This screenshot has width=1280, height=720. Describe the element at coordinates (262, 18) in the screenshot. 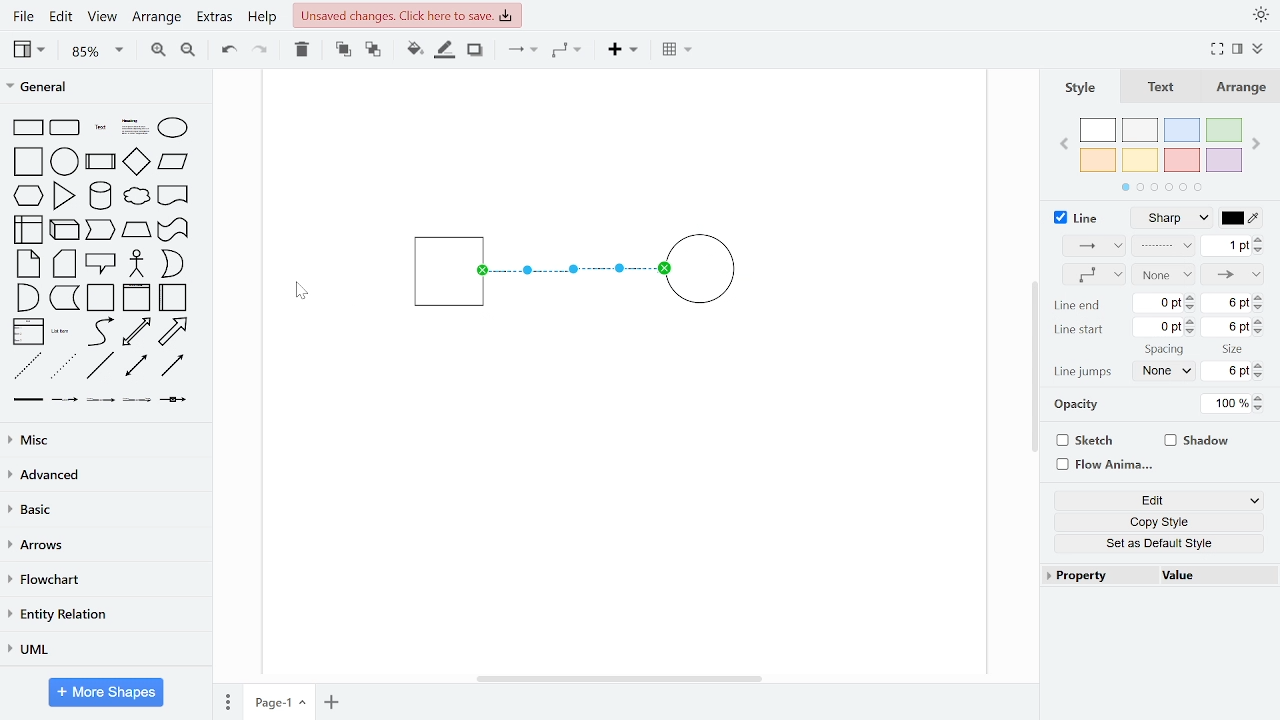

I see `help` at that location.